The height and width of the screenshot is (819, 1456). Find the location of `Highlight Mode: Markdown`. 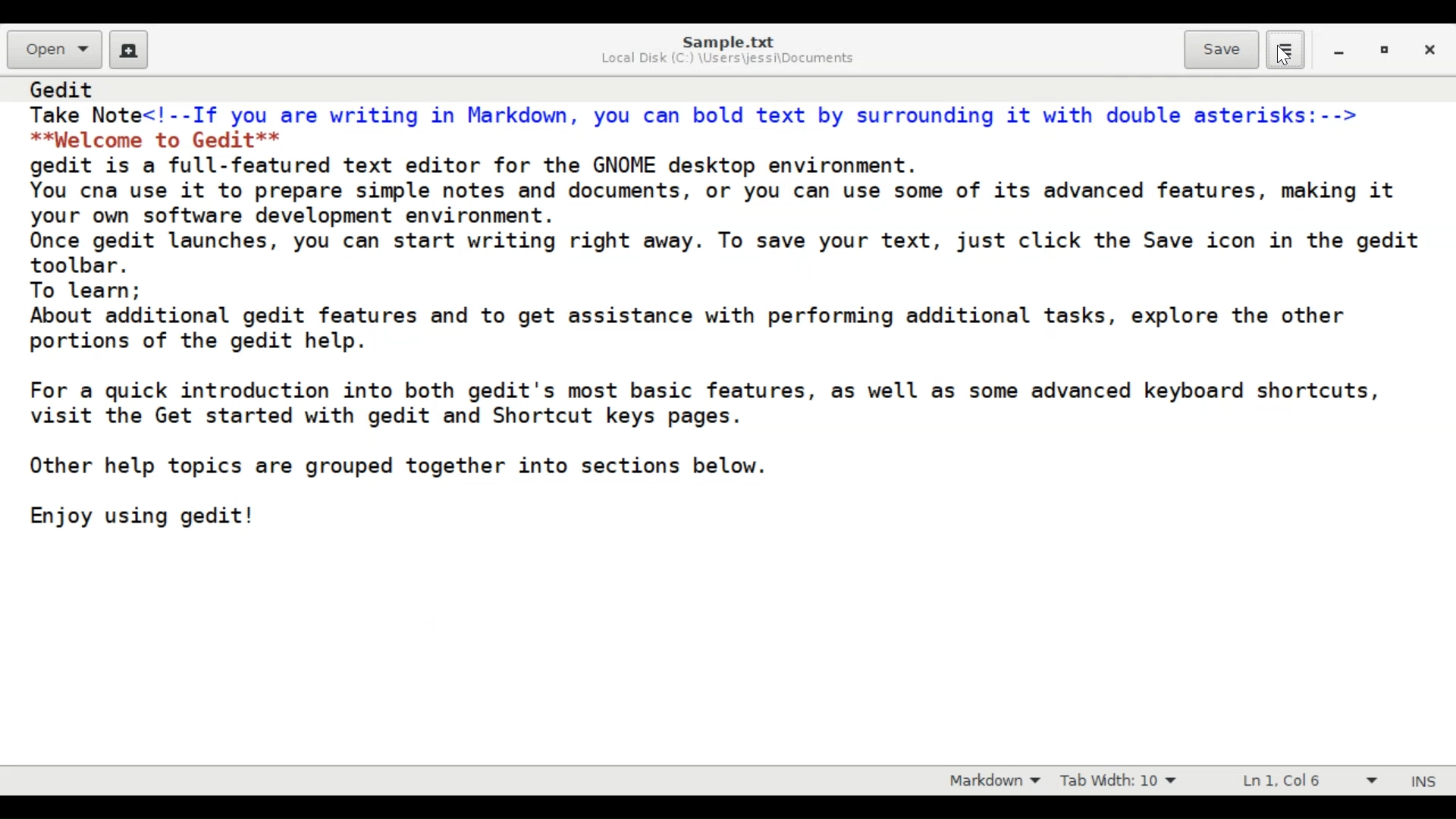

Highlight Mode: Markdown is located at coordinates (1000, 780).